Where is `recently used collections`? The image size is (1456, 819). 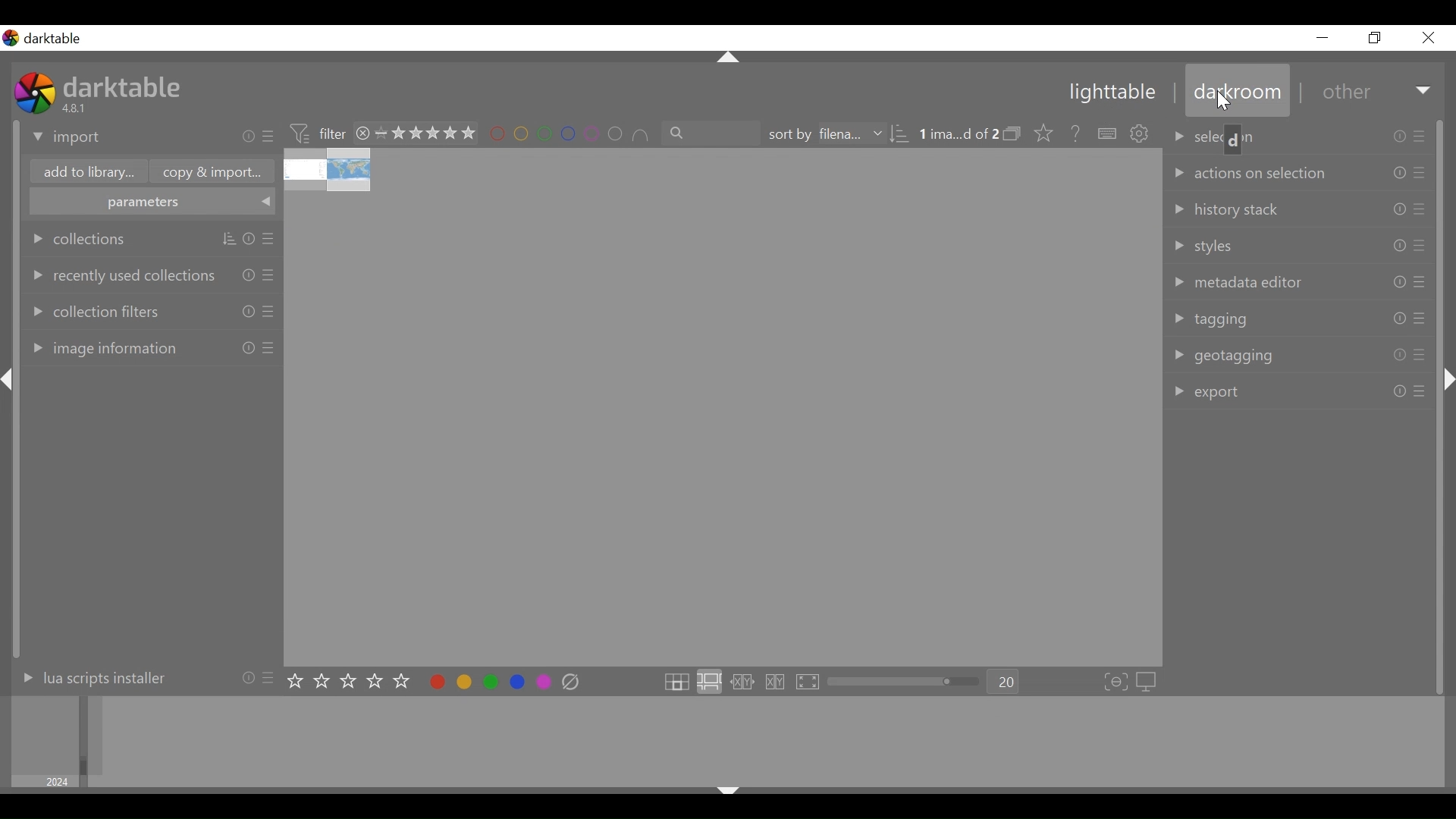 recently used collections is located at coordinates (121, 275).